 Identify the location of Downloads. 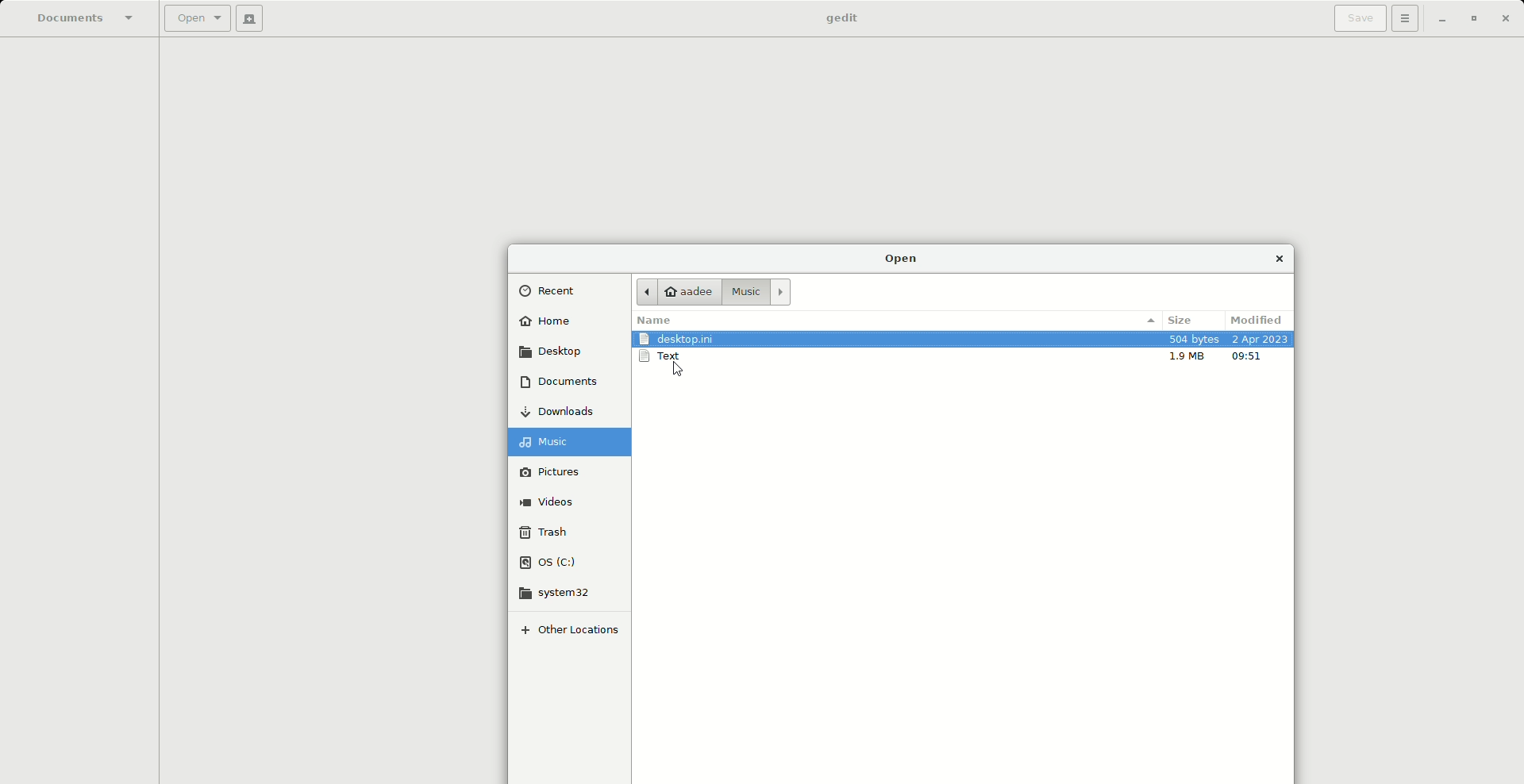
(564, 413).